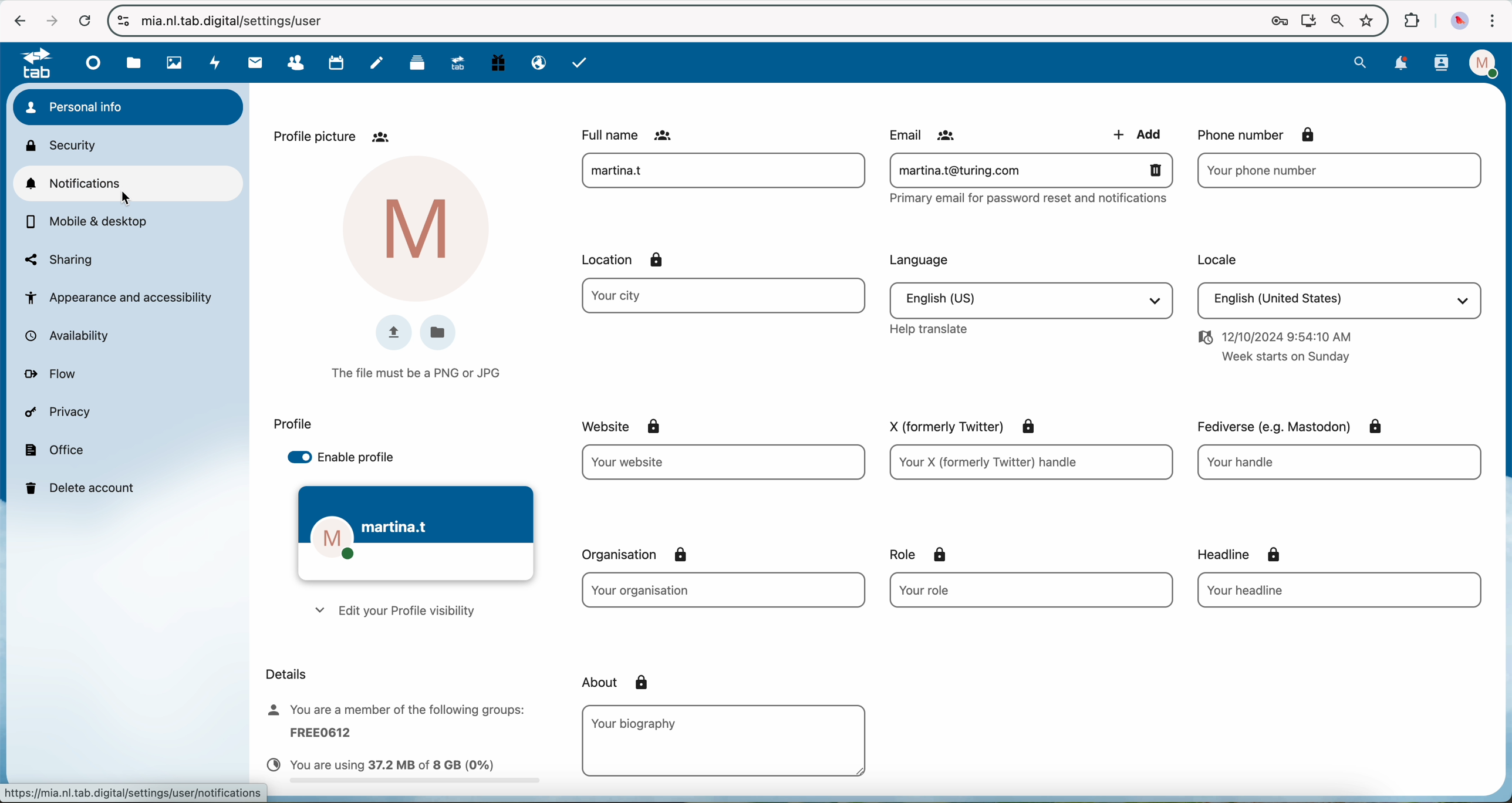  I want to click on click on notifications, so click(127, 185).